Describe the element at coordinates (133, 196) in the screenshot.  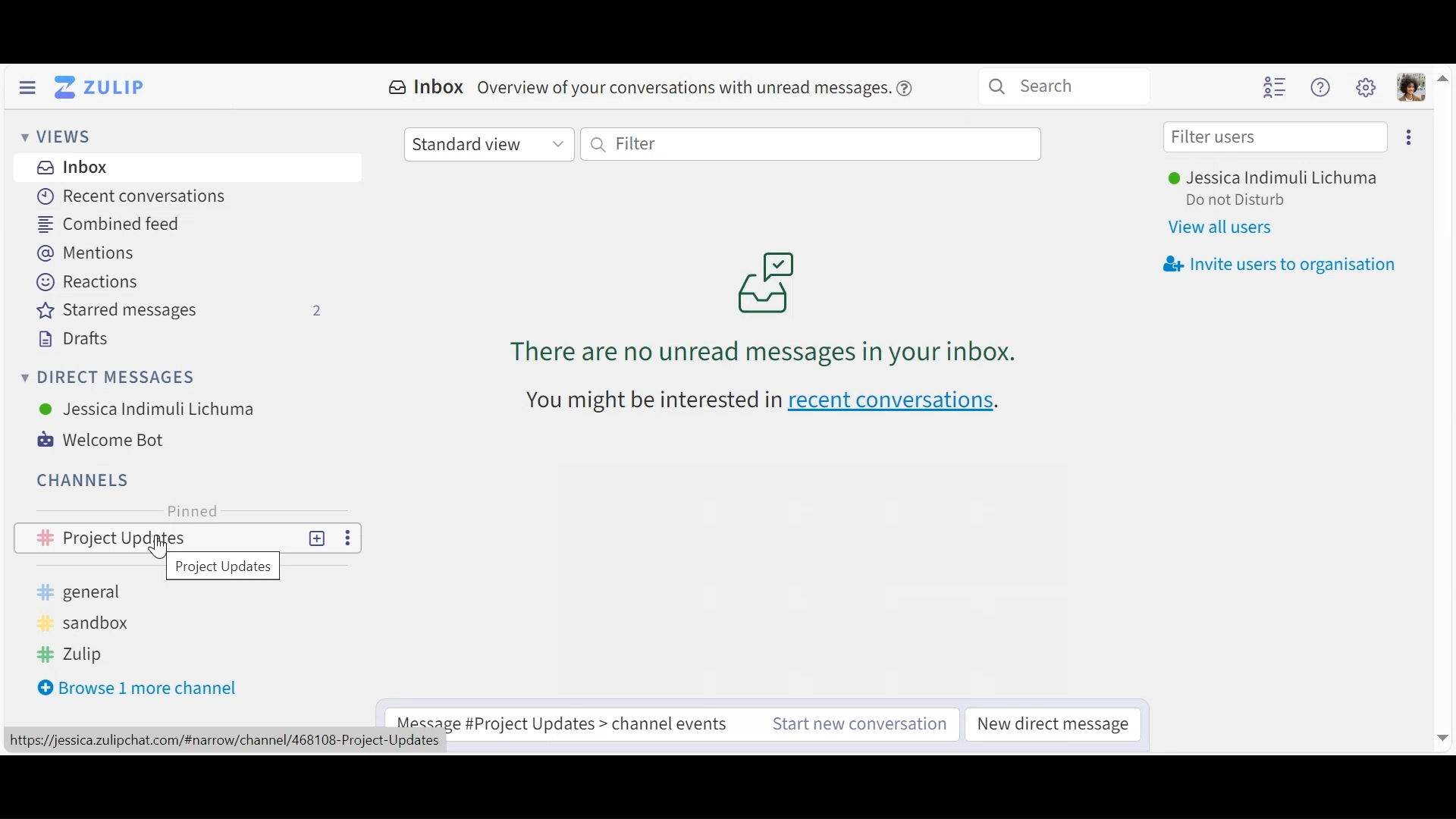
I see `Recent Conversations` at that location.